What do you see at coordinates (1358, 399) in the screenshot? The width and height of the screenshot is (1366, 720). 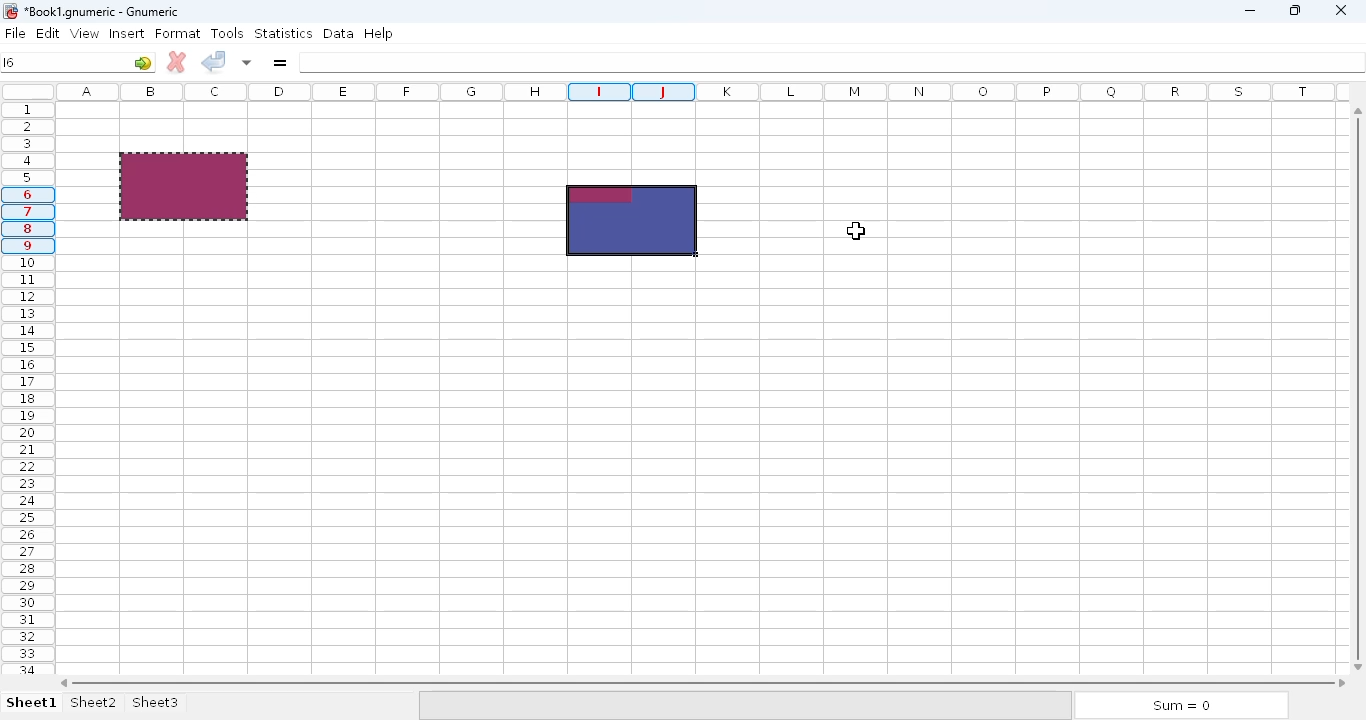 I see `vertical scroll bar` at bounding box center [1358, 399].